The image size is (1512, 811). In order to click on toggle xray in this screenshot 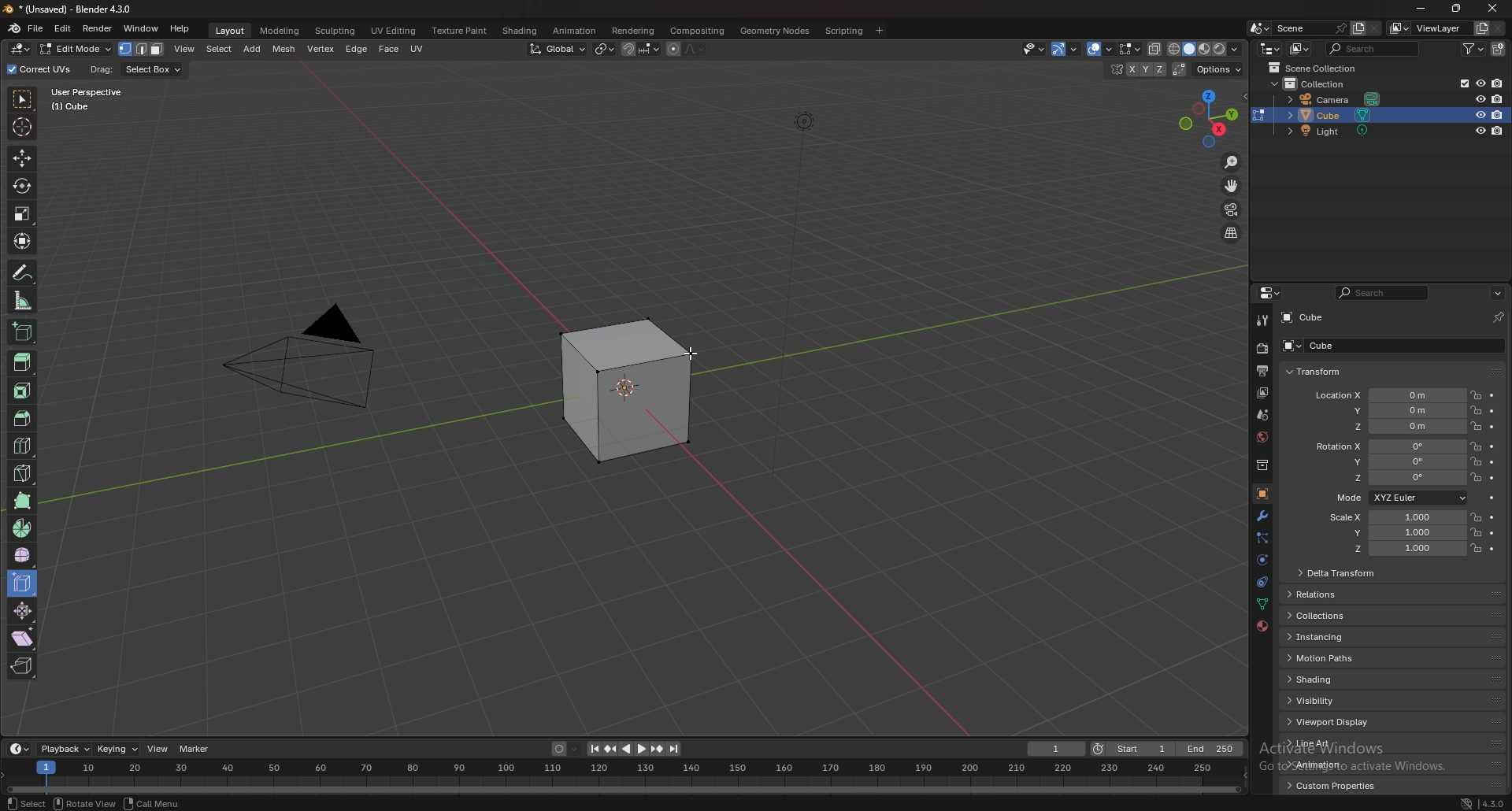, I will do `click(1155, 49)`.